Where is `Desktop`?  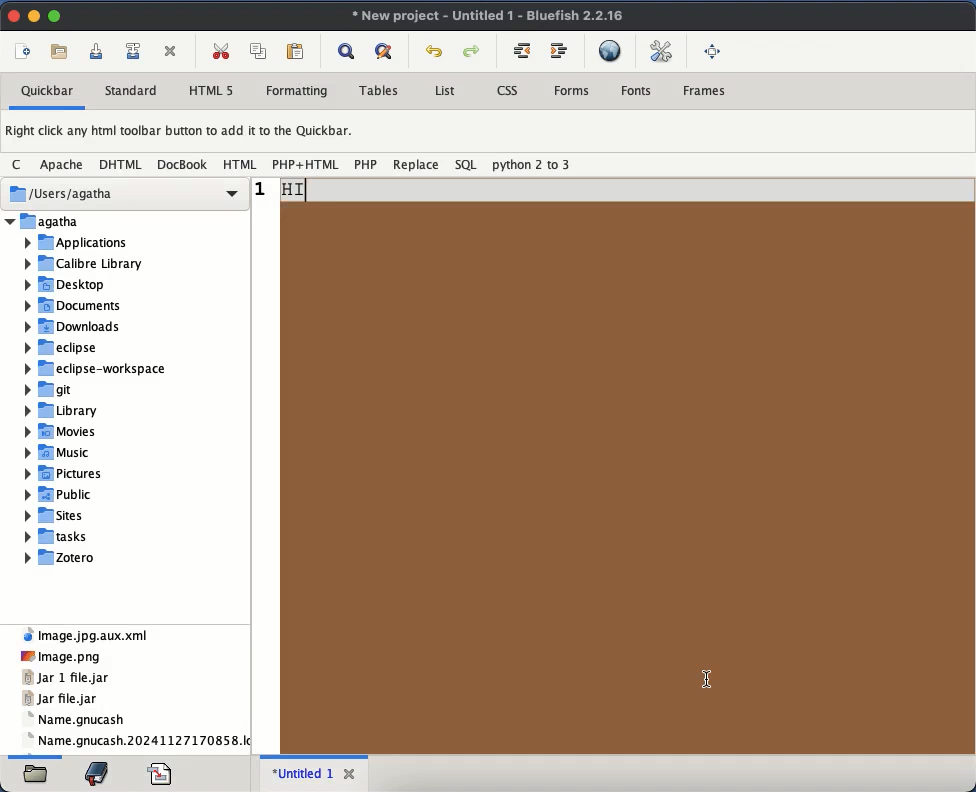 Desktop is located at coordinates (66, 286).